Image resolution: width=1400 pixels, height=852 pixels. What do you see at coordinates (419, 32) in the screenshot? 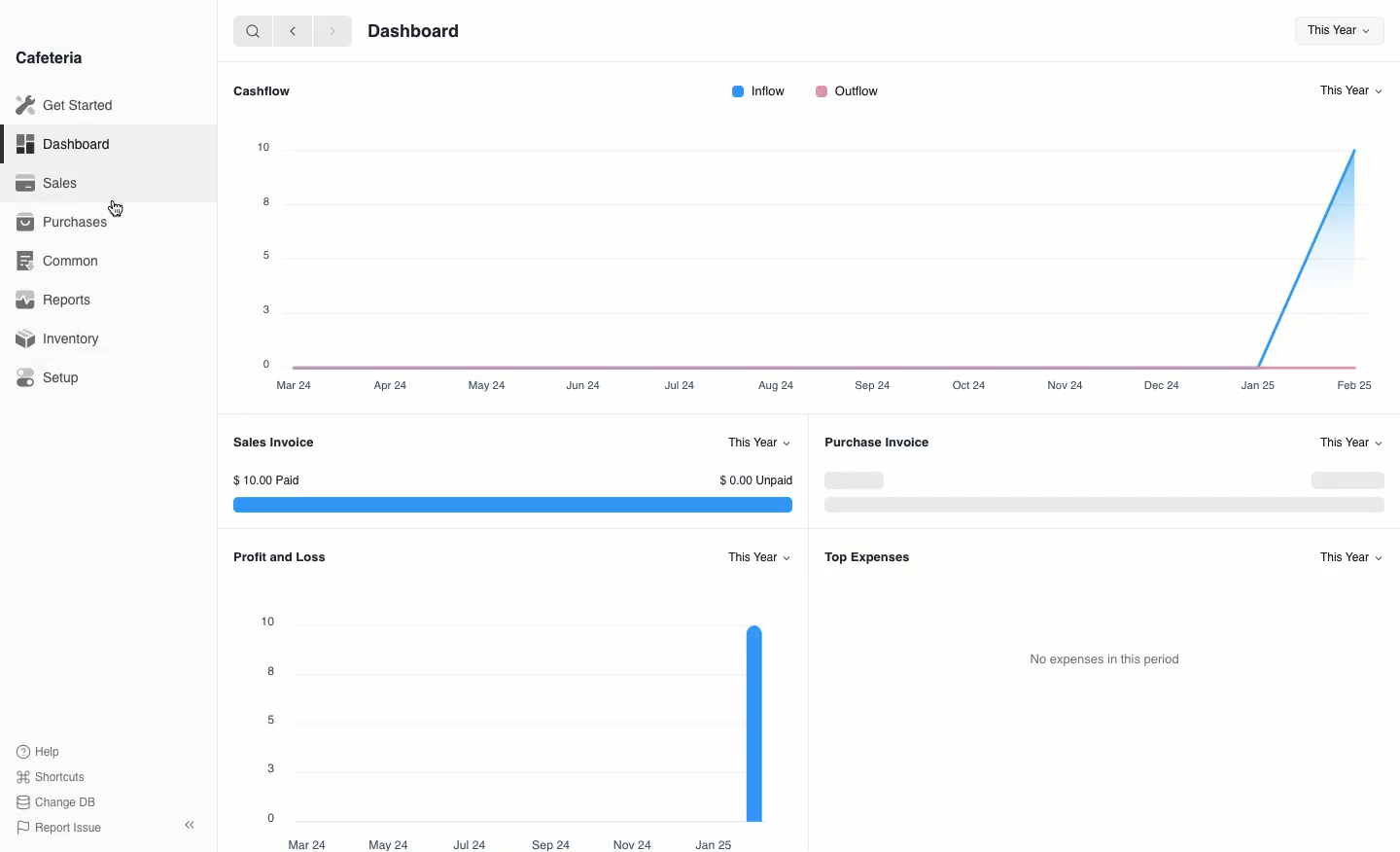
I see `Dashboard` at bounding box center [419, 32].